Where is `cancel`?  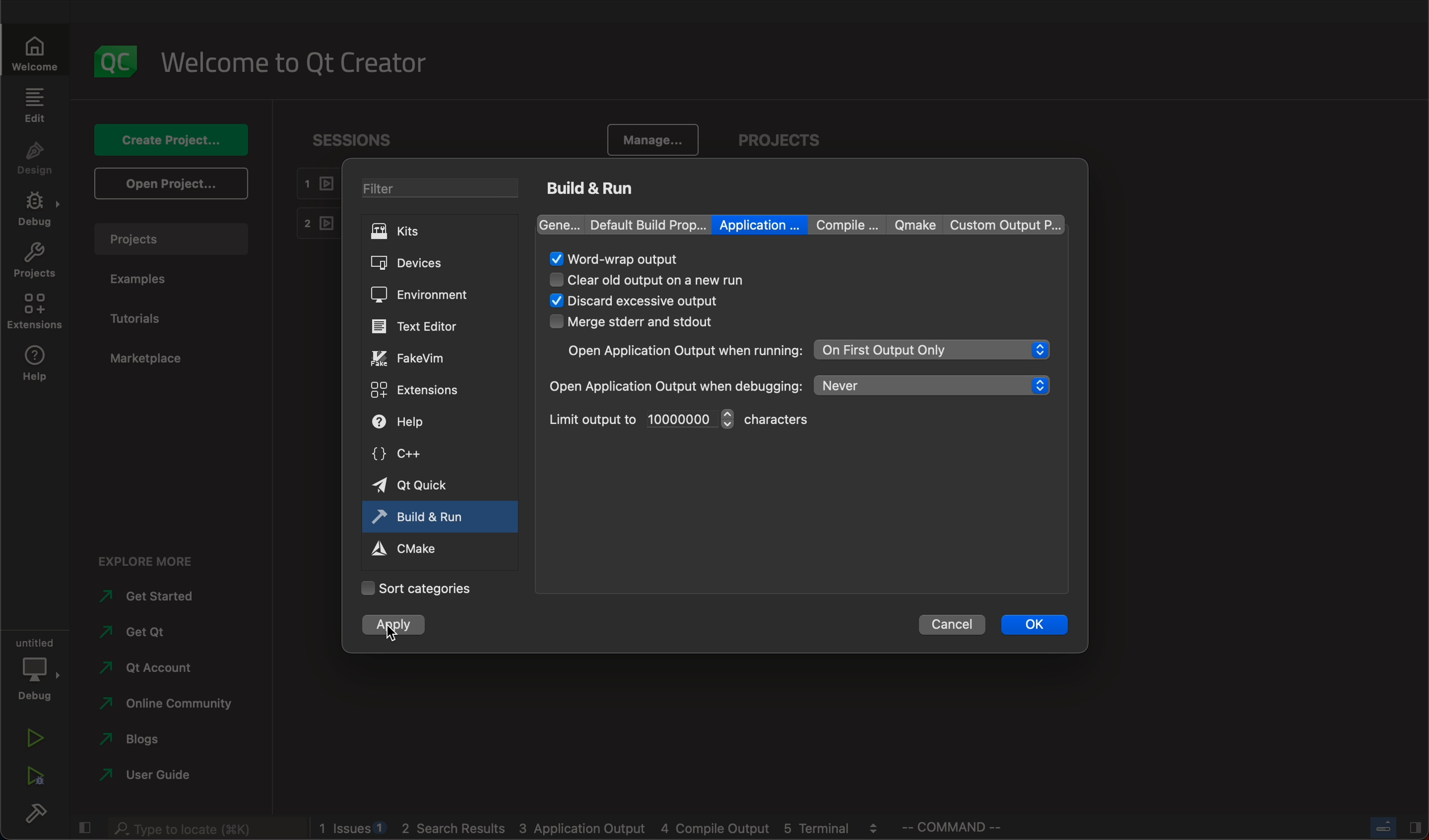
cancel is located at coordinates (951, 625).